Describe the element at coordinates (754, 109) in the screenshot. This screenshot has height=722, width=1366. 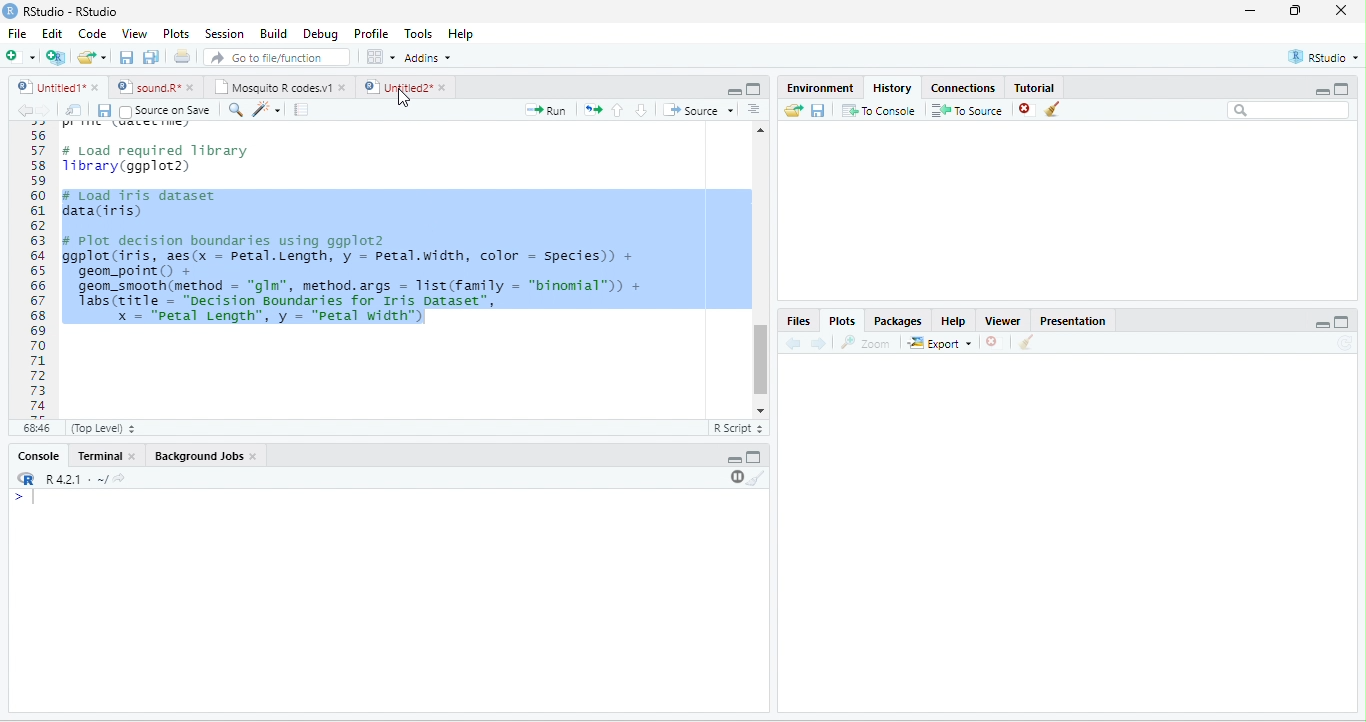
I see `options` at that location.